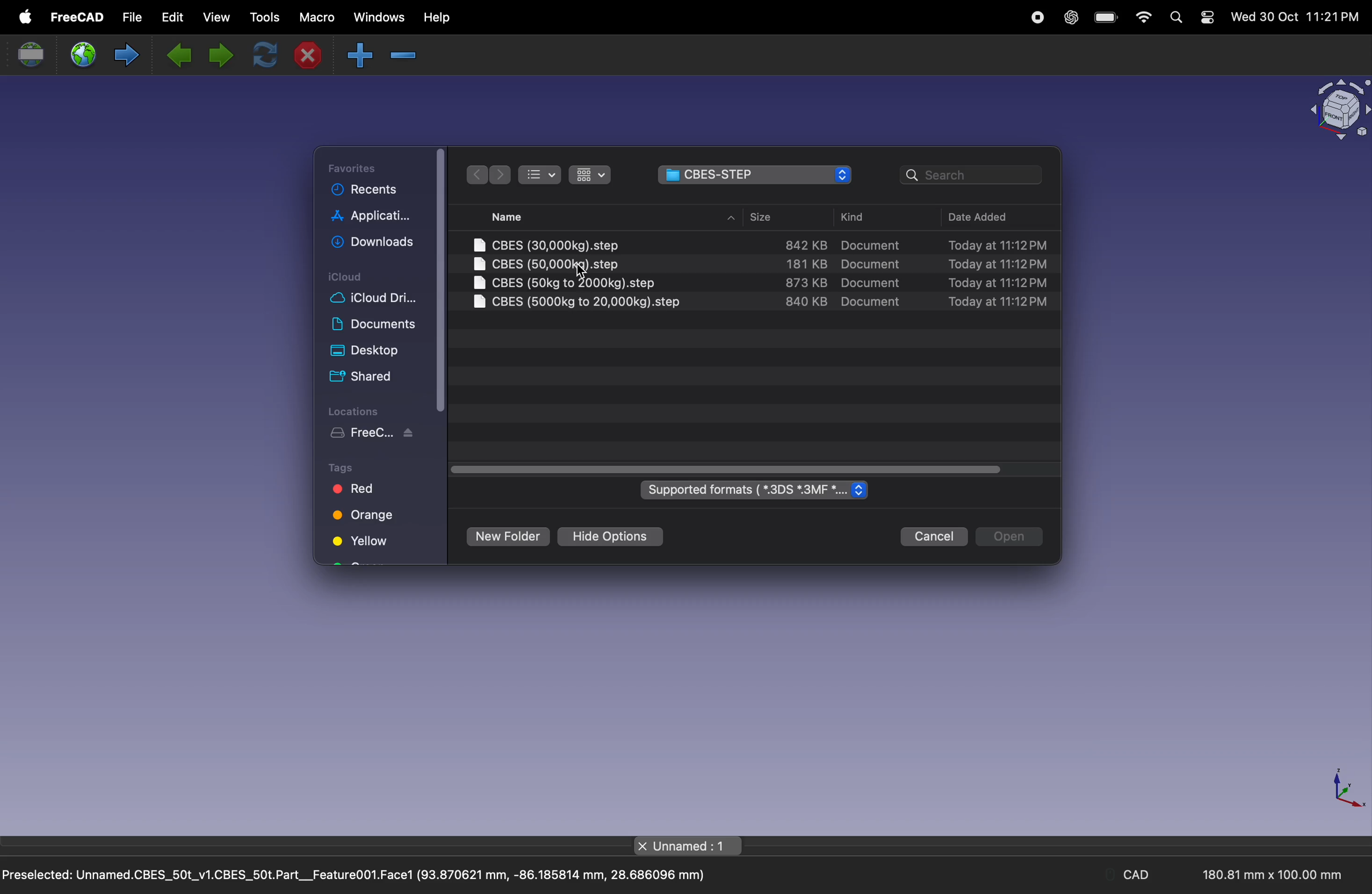 This screenshot has height=894, width=1372. Describe the element at coordinates (216, 52) in the screenshot. I see `next page` at that location.